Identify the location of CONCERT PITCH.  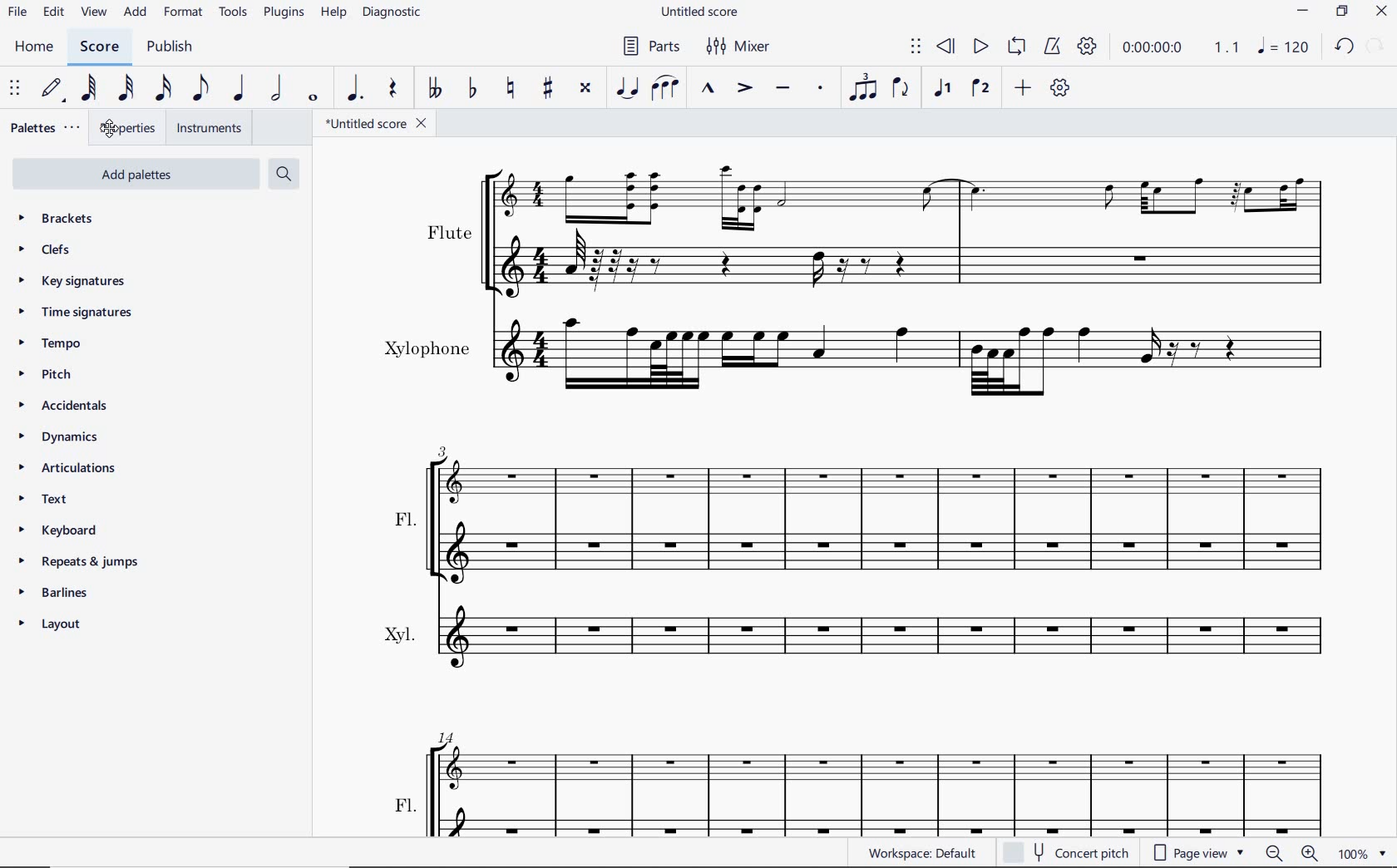
(1073, 854).